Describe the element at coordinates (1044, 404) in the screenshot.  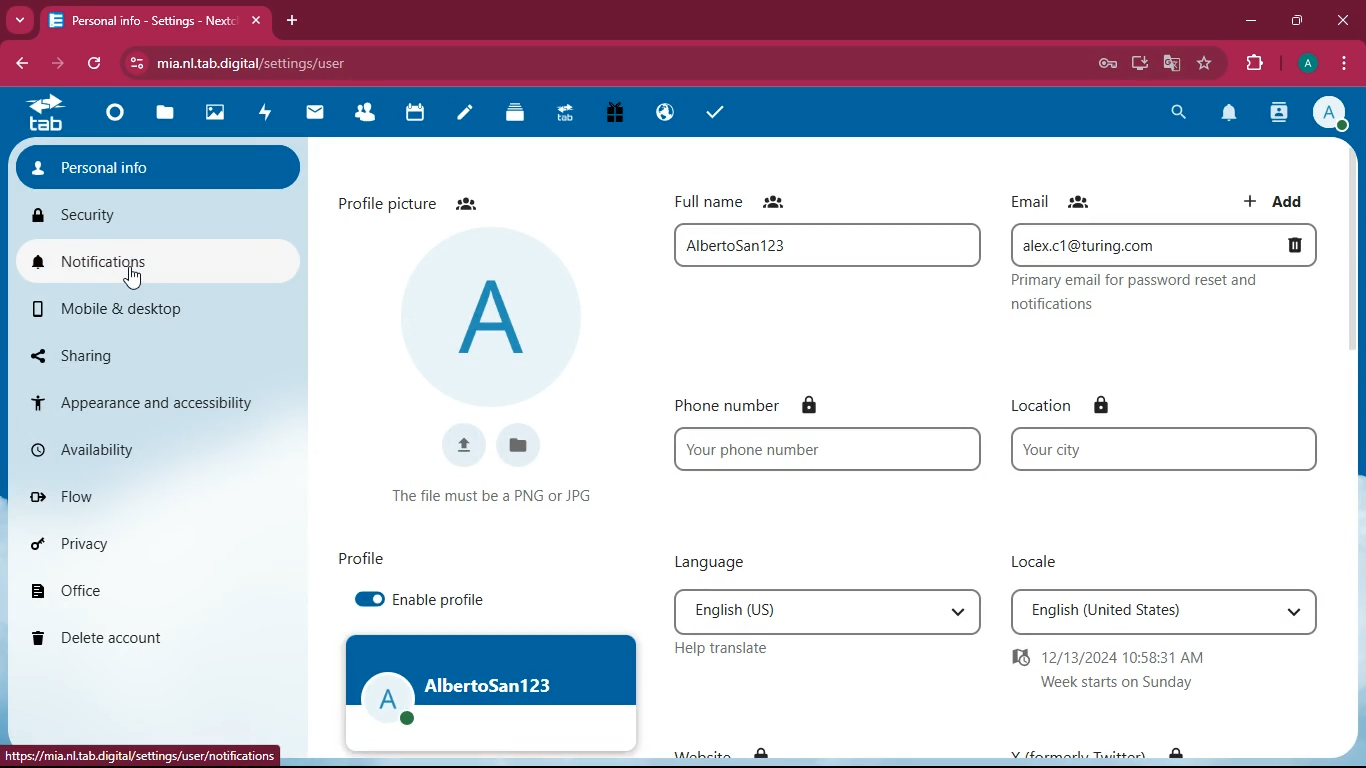
I see `location` at that location.